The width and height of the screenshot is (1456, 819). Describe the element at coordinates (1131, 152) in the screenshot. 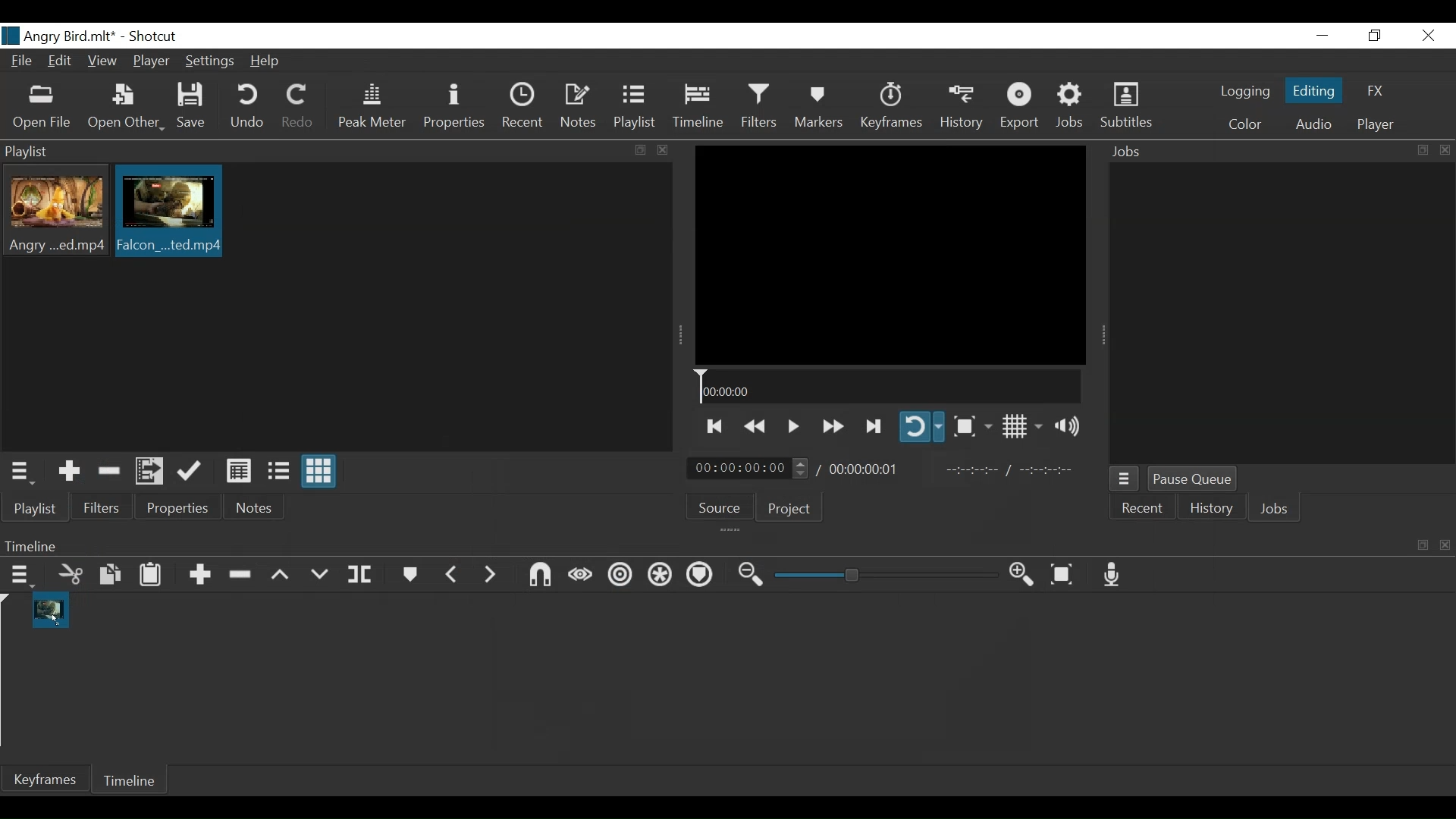

I see `Jobs` at that location.